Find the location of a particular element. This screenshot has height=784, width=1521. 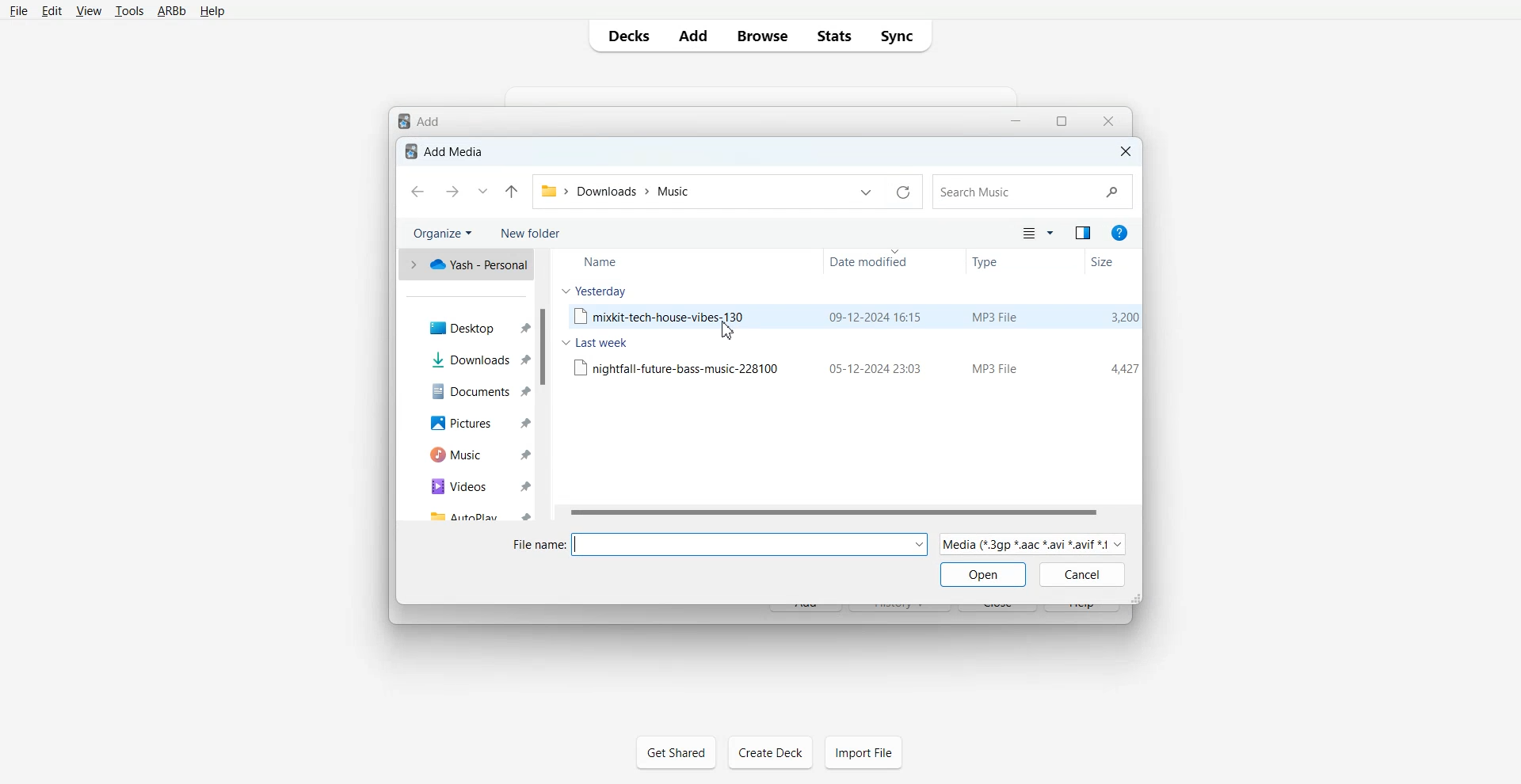

Search Bar is located at coordinates (1033, 192).